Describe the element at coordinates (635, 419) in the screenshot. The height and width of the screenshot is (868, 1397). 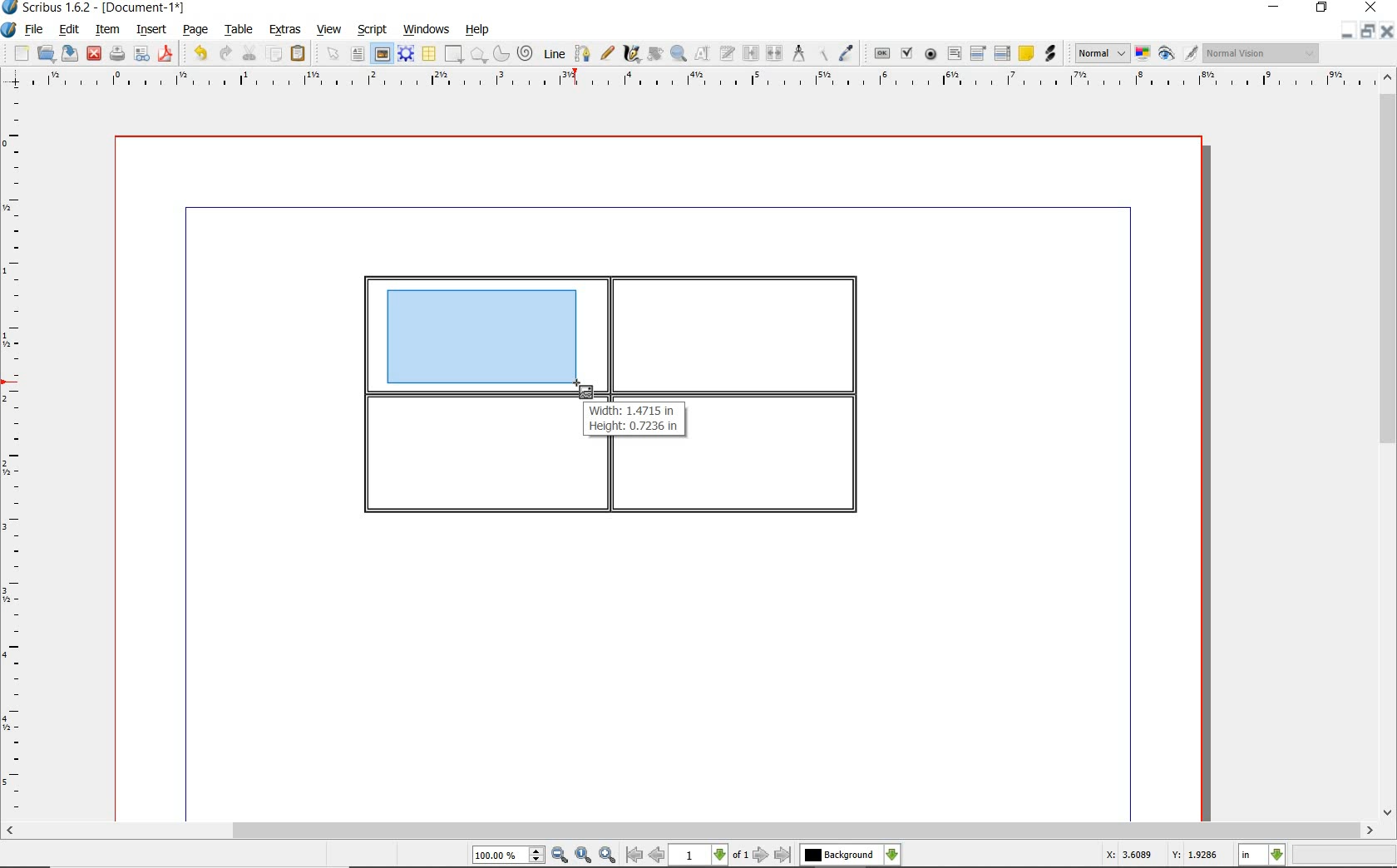
I see `Width: 1.4715 in Height: 0.7236 in` at that location.